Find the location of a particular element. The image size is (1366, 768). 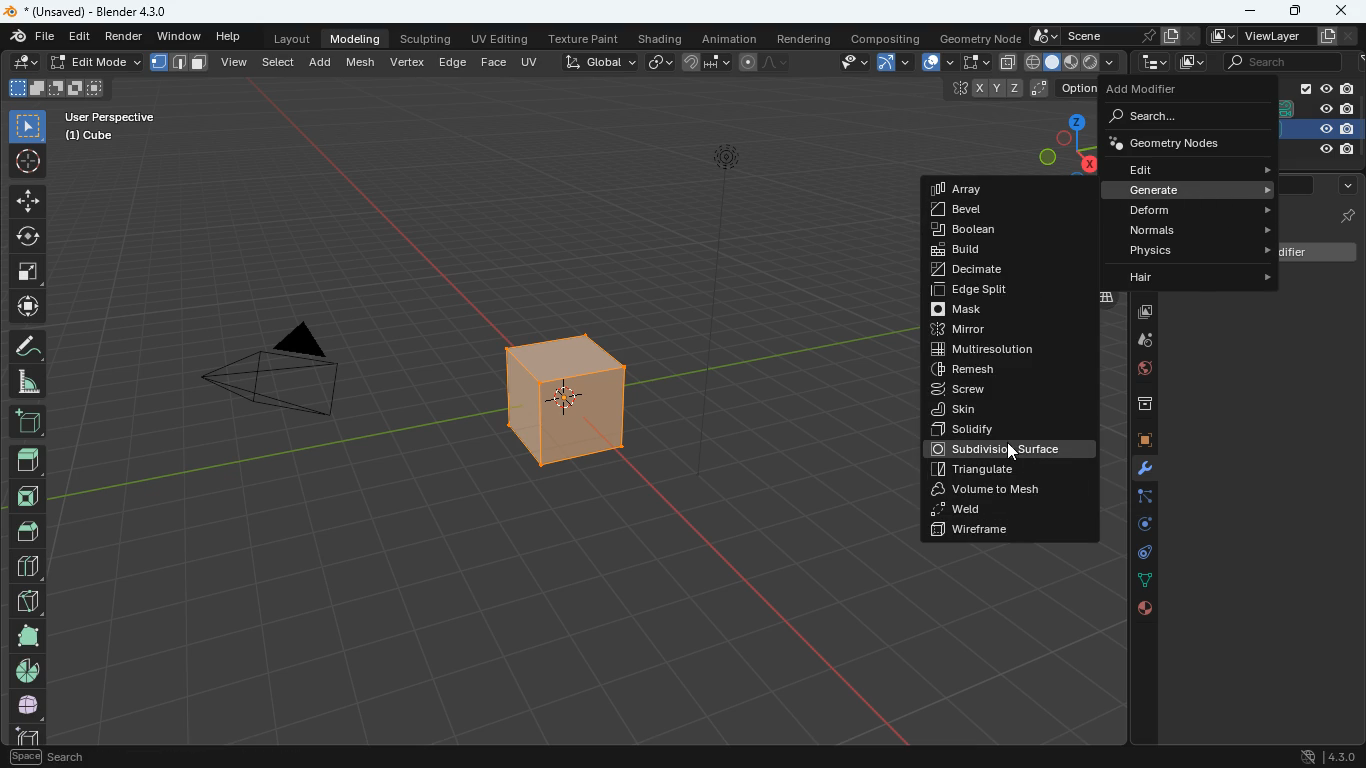

camera is located at coordinates (1317, 110).